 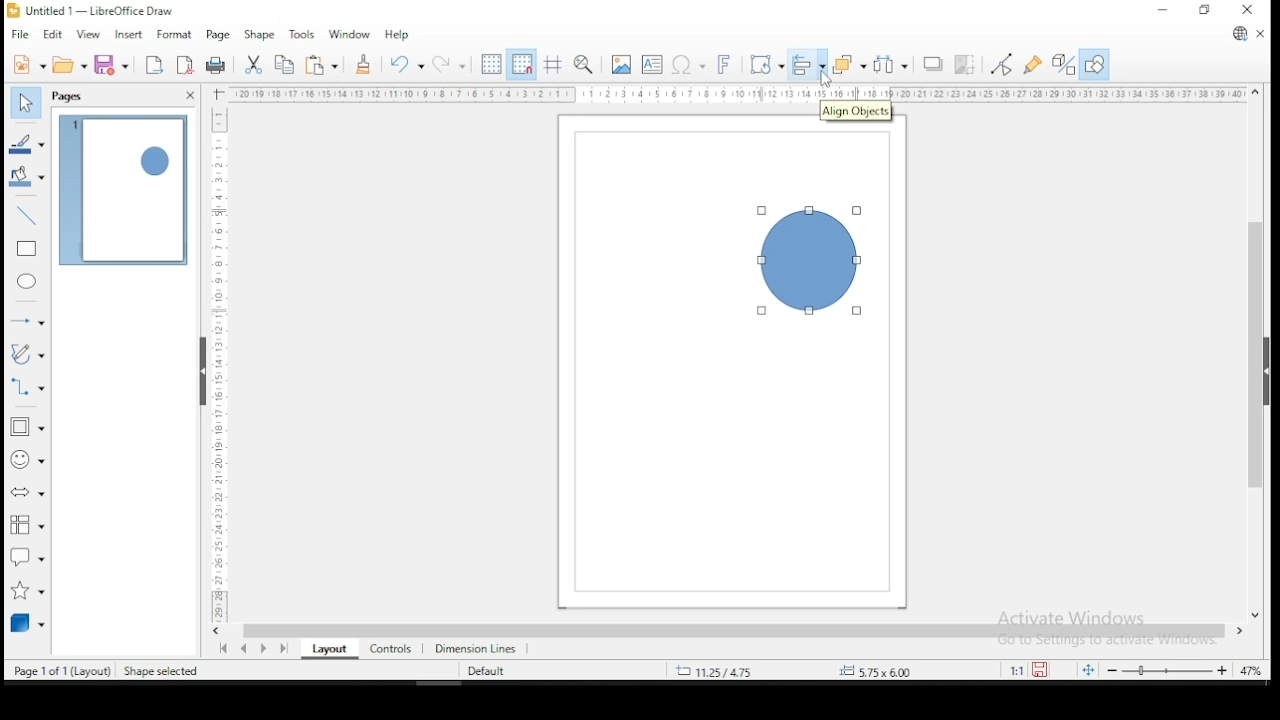 I want to click on next page, so click(x=268, y=648).